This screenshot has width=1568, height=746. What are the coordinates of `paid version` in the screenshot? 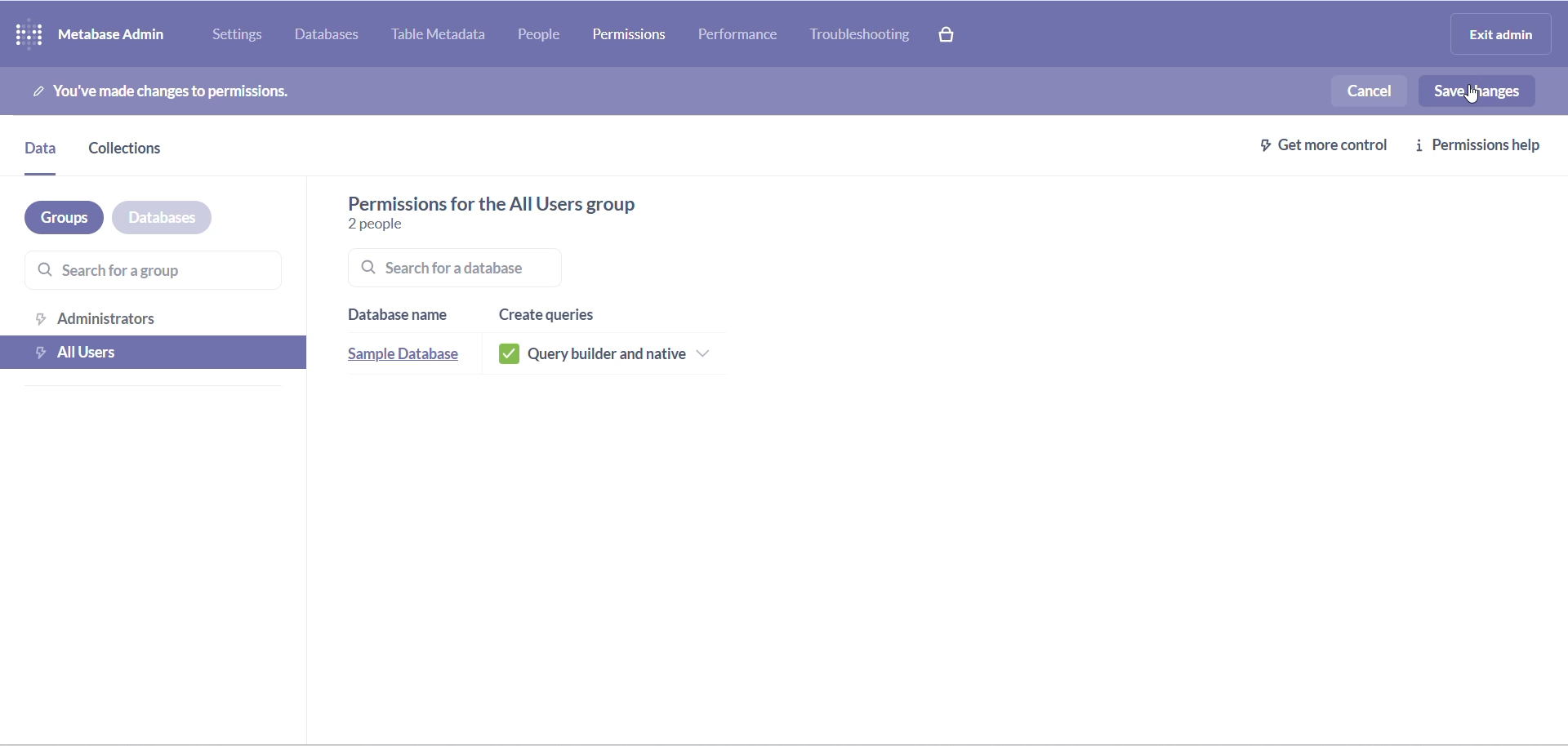 It's located at (957, 34).